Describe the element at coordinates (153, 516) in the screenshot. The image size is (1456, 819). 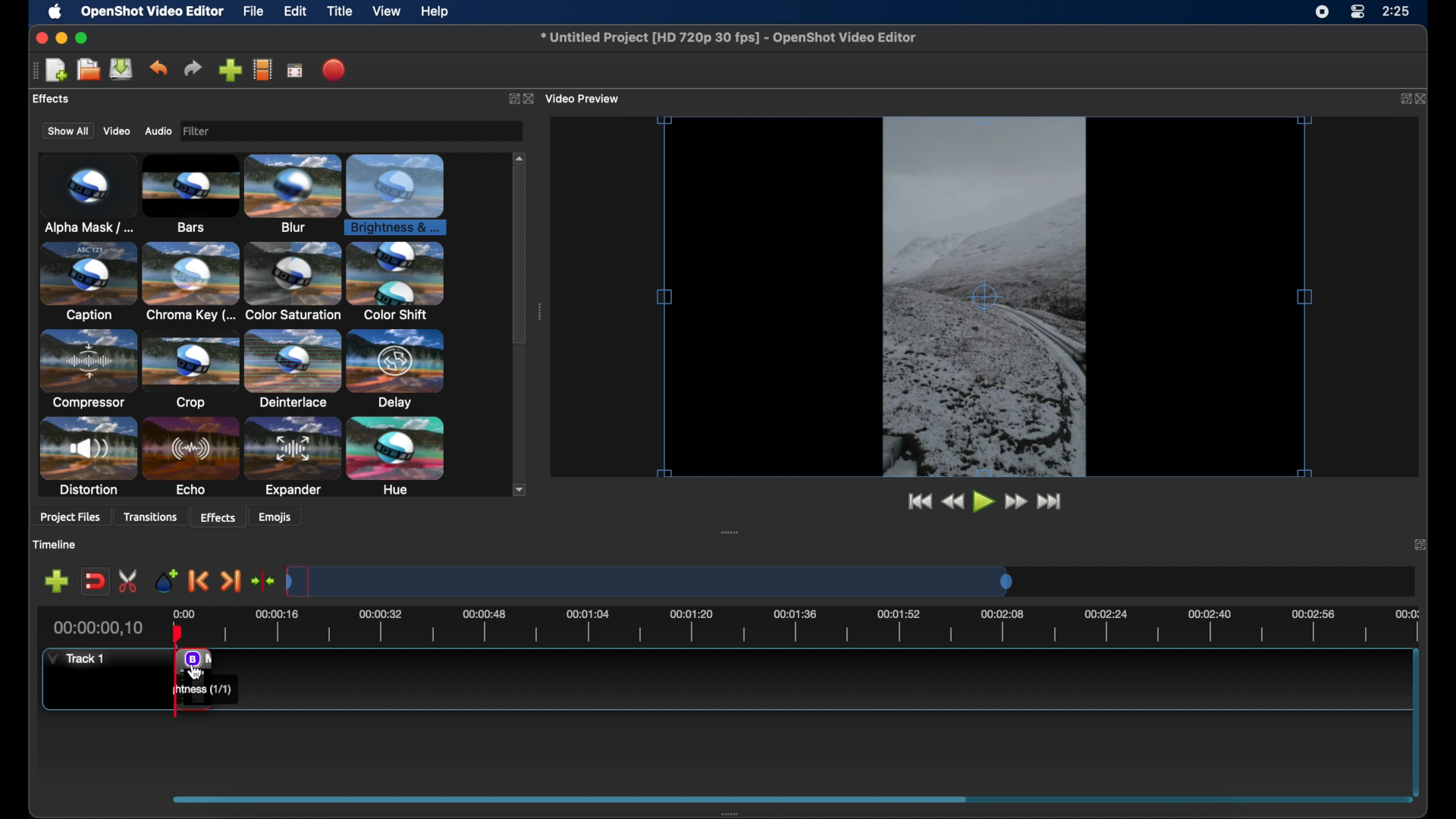
I see `transitions` at that location.